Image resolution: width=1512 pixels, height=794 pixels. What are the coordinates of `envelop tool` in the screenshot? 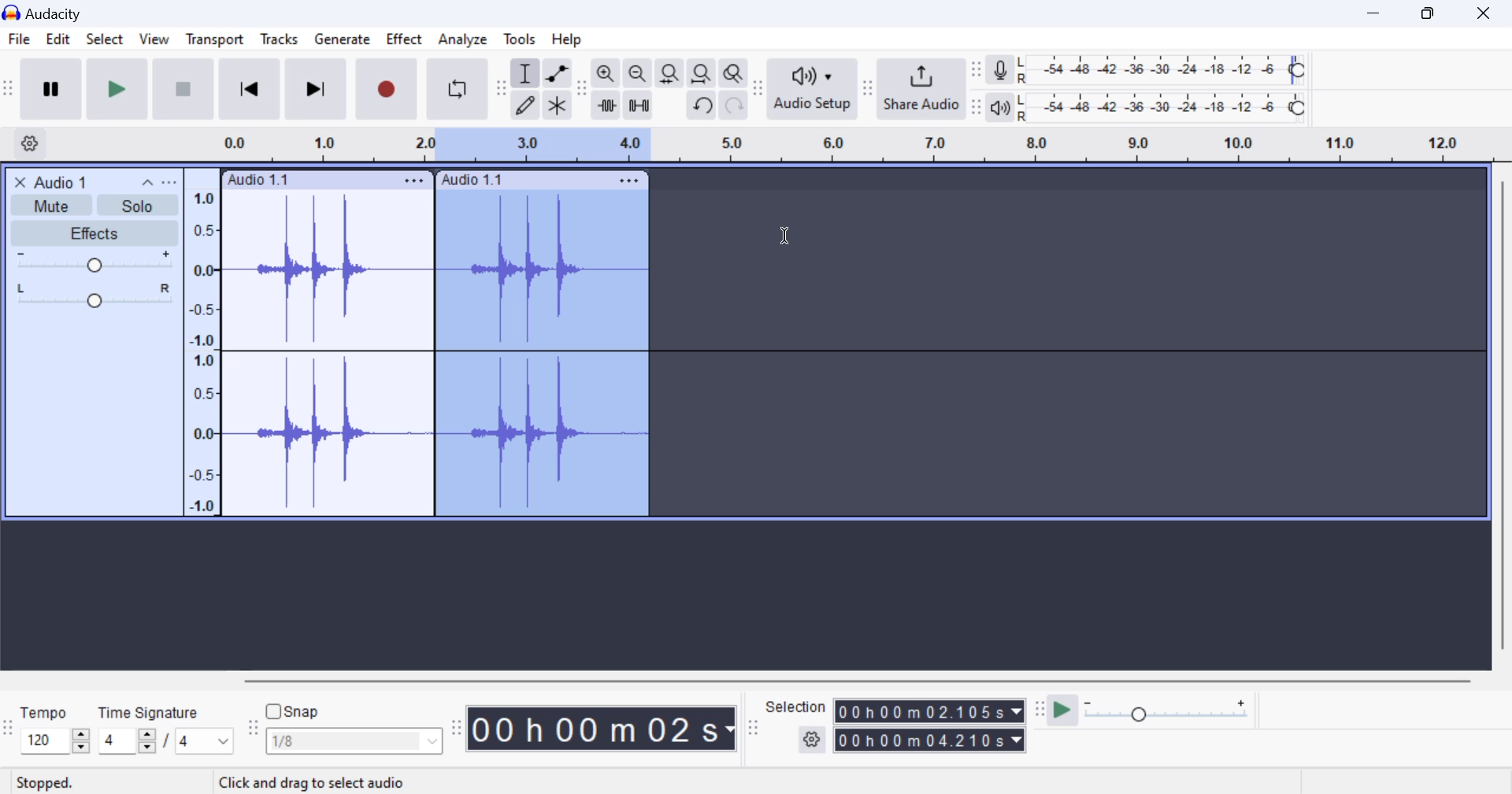 It's located at (557, 75).